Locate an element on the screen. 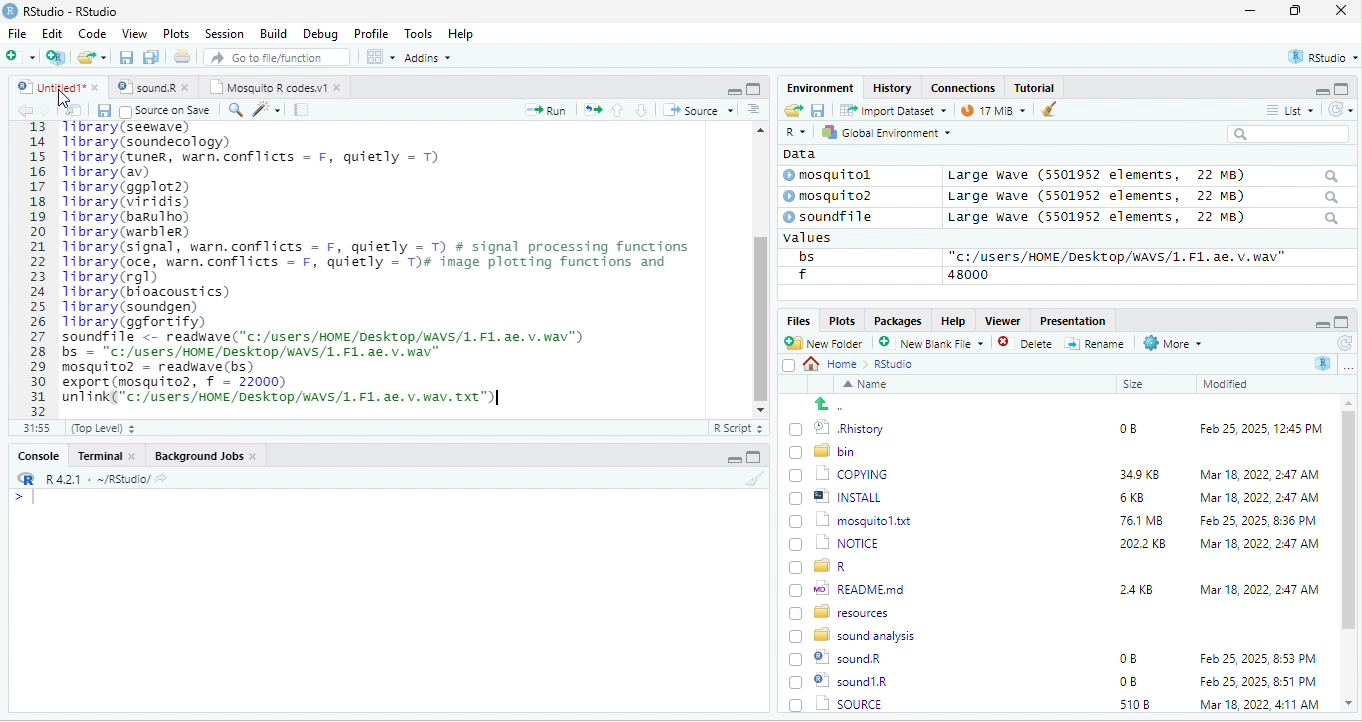 This screenshot has height=722, width=1362. Edit is located at coordinates (54, 33).